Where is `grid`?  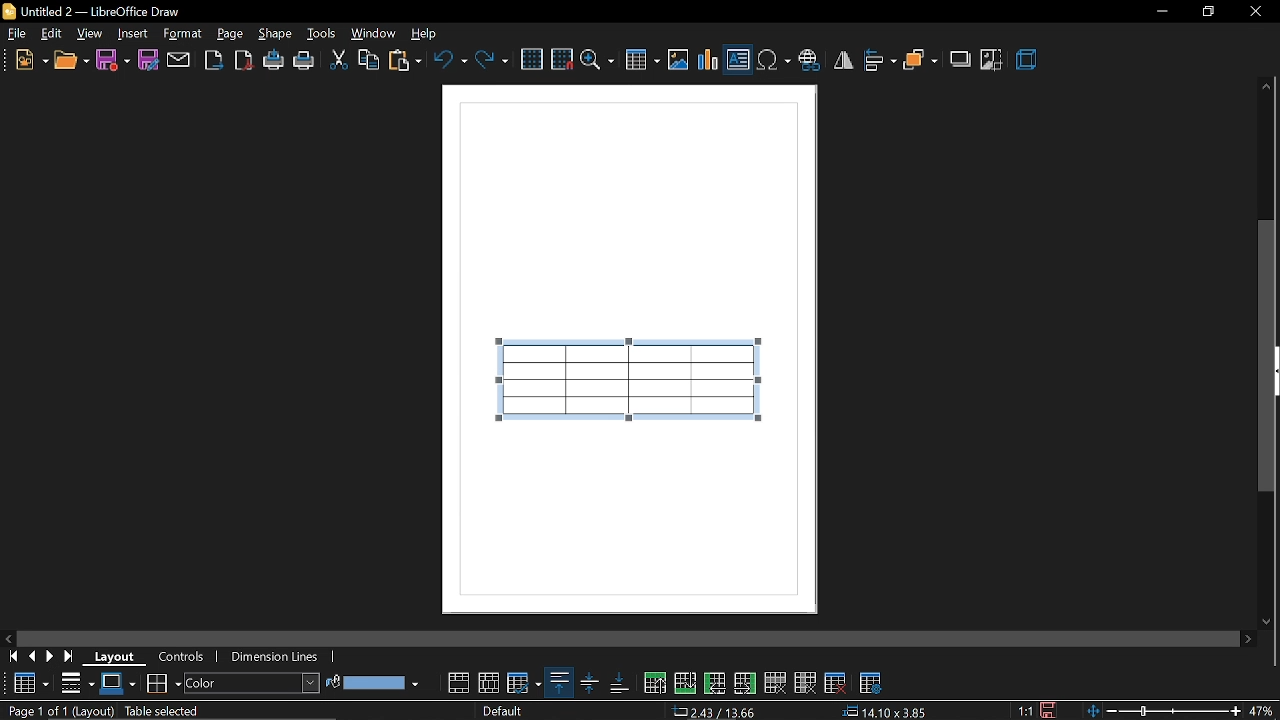
grid is located at coordinates (533, 60).